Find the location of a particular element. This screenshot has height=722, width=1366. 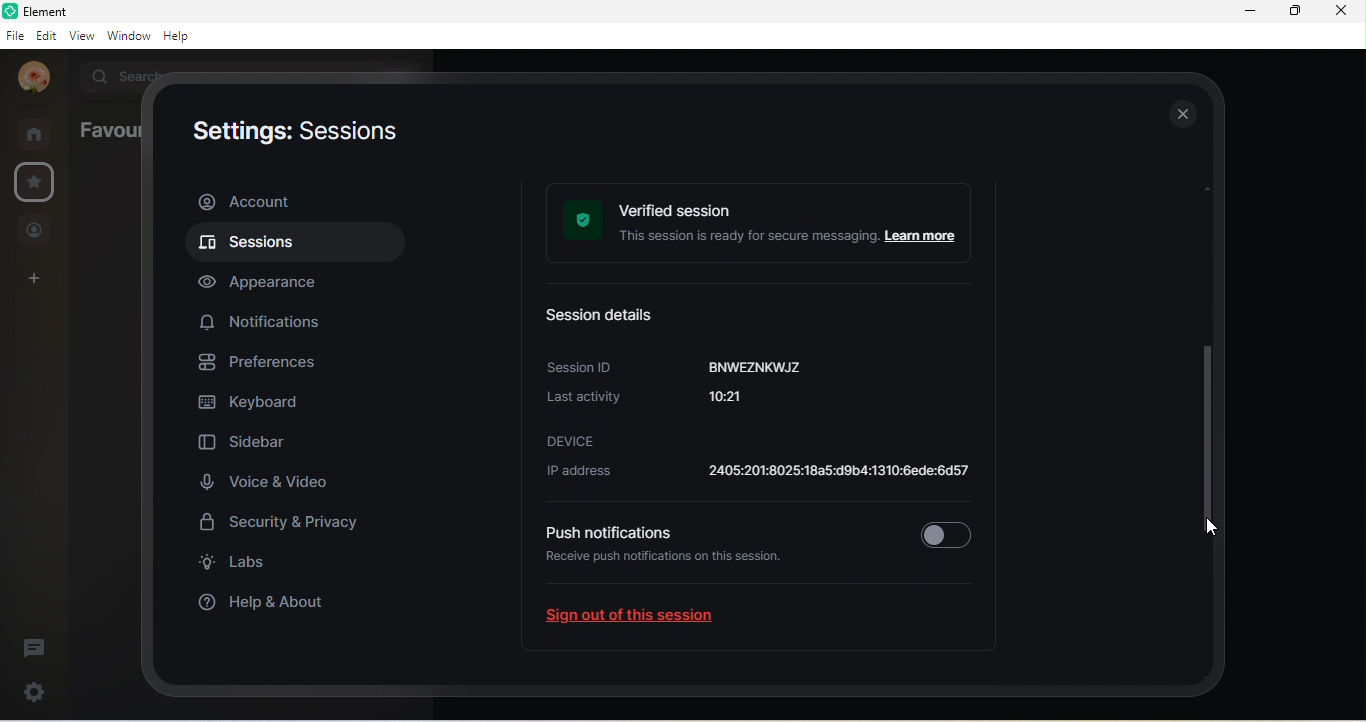

view is located at coordinates (82, 34).